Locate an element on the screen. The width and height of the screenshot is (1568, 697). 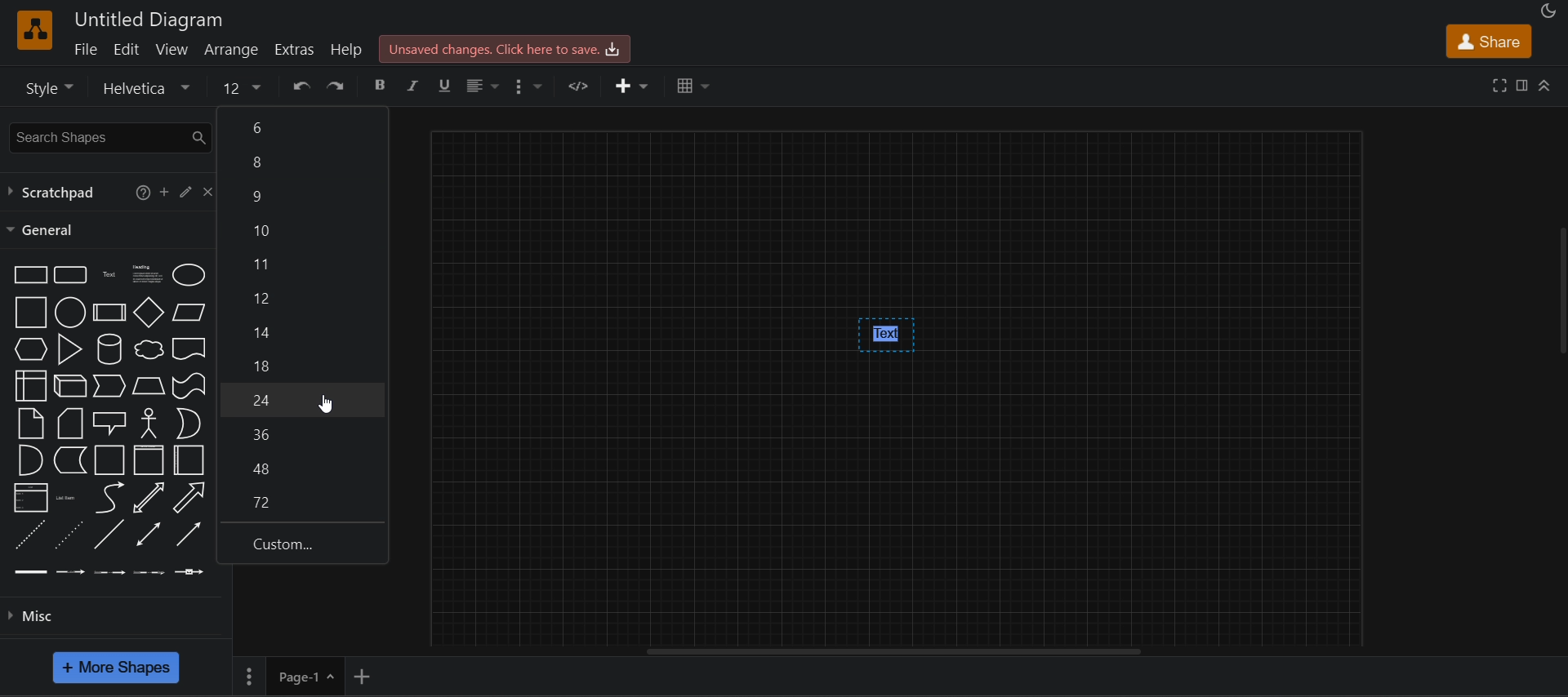
Diamond is located at coordinates (149, 312).